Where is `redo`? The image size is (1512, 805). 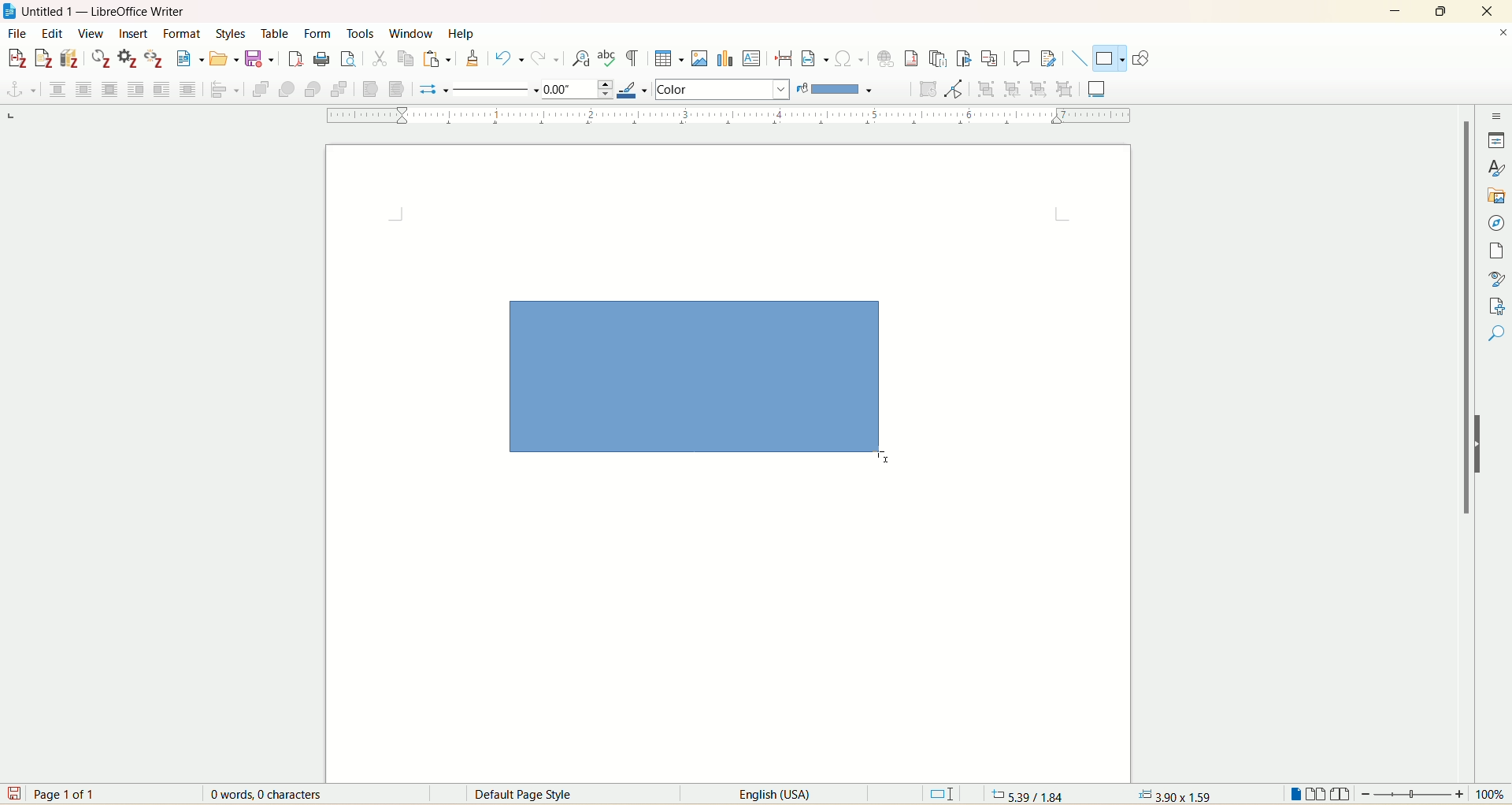
redo is located at coordinates (543, 59).